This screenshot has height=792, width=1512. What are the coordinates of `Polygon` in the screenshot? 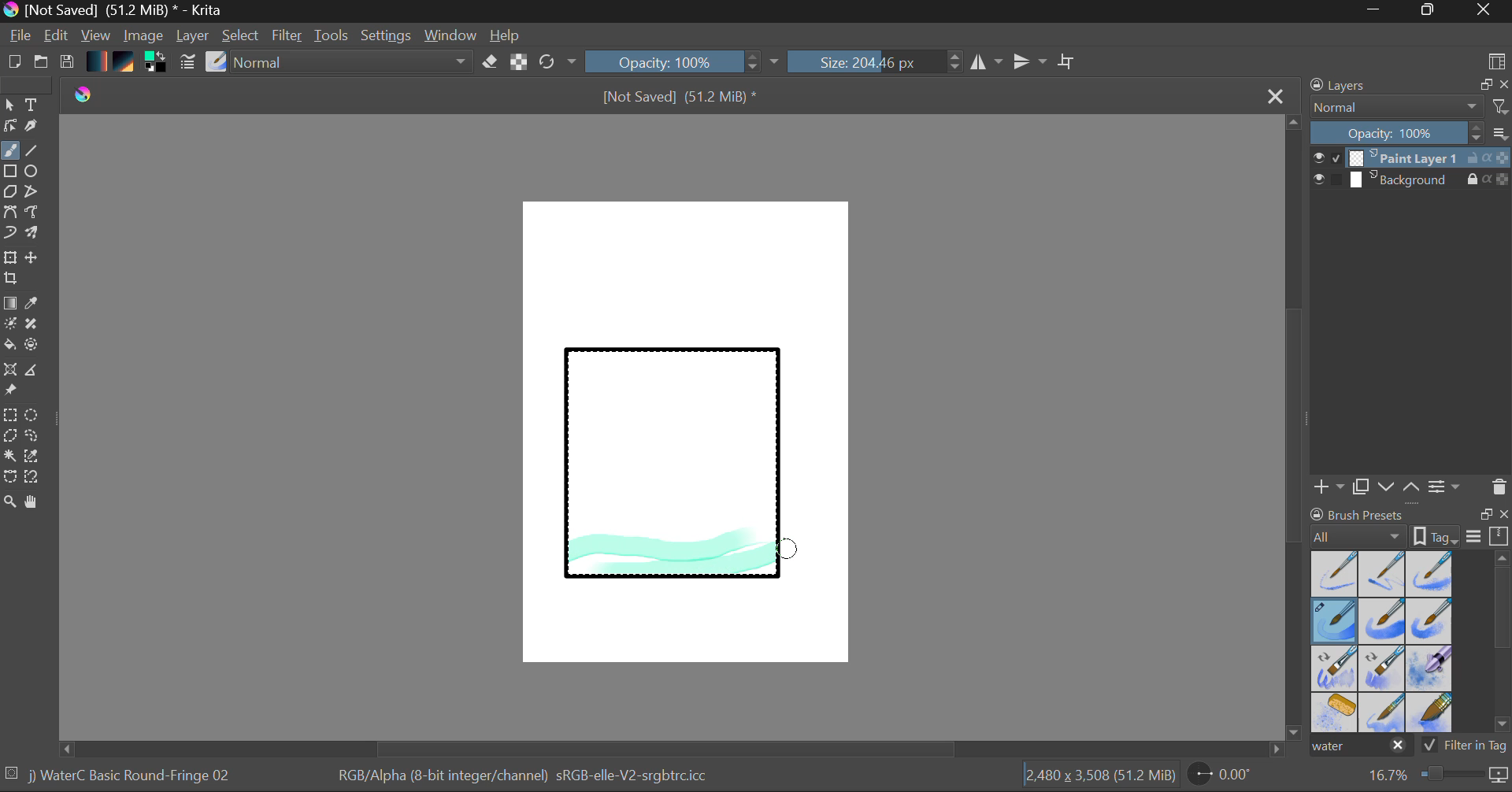 It's located at (9, 192).